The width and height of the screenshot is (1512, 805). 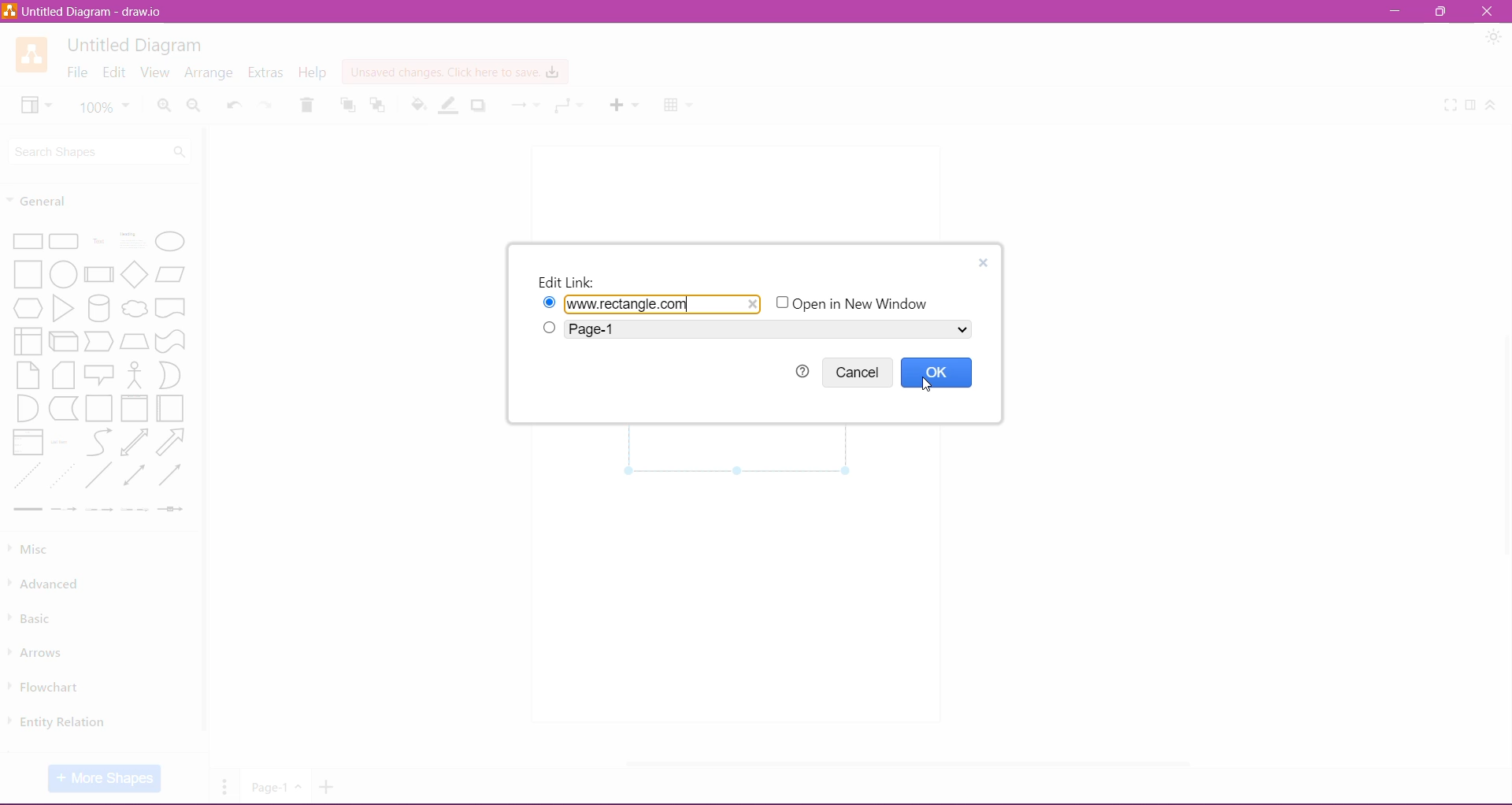 I want to click on Fill Color, so click(x=419, y=106).